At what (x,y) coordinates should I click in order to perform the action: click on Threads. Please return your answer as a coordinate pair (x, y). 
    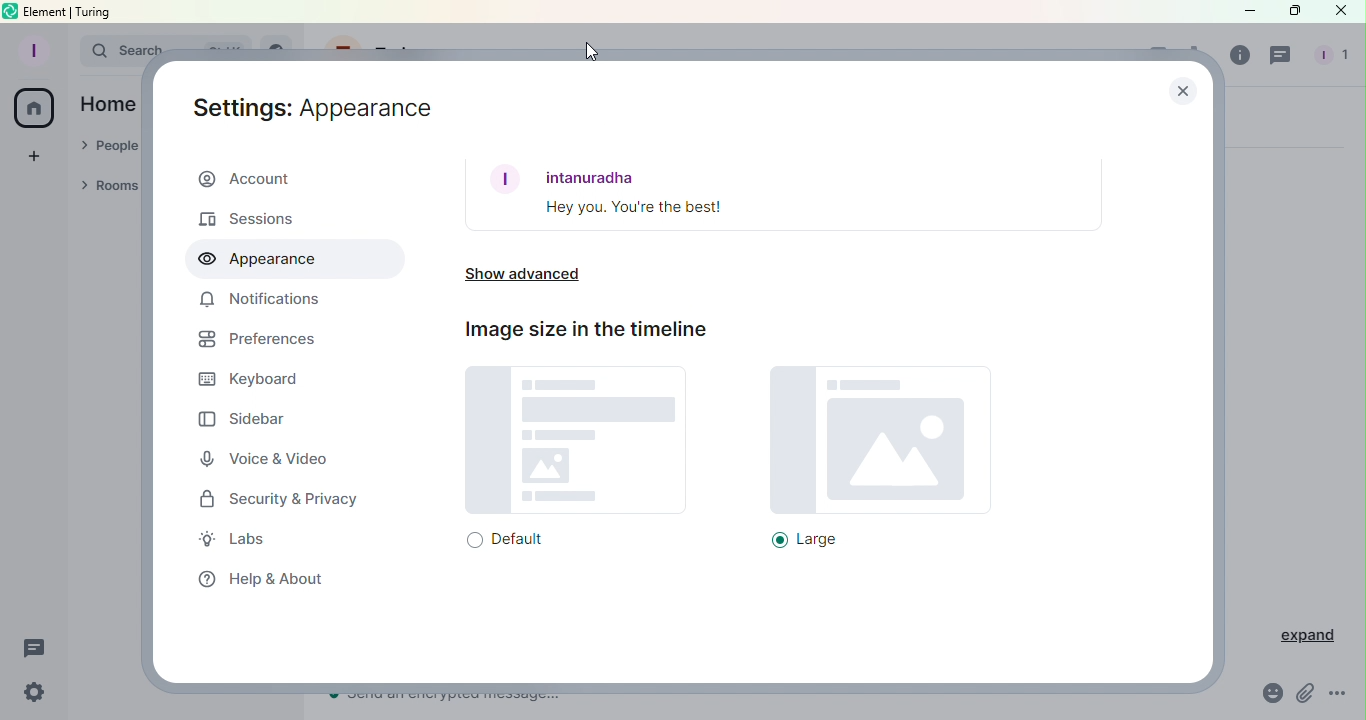
    Looking at the image, I should click on (35, 649).